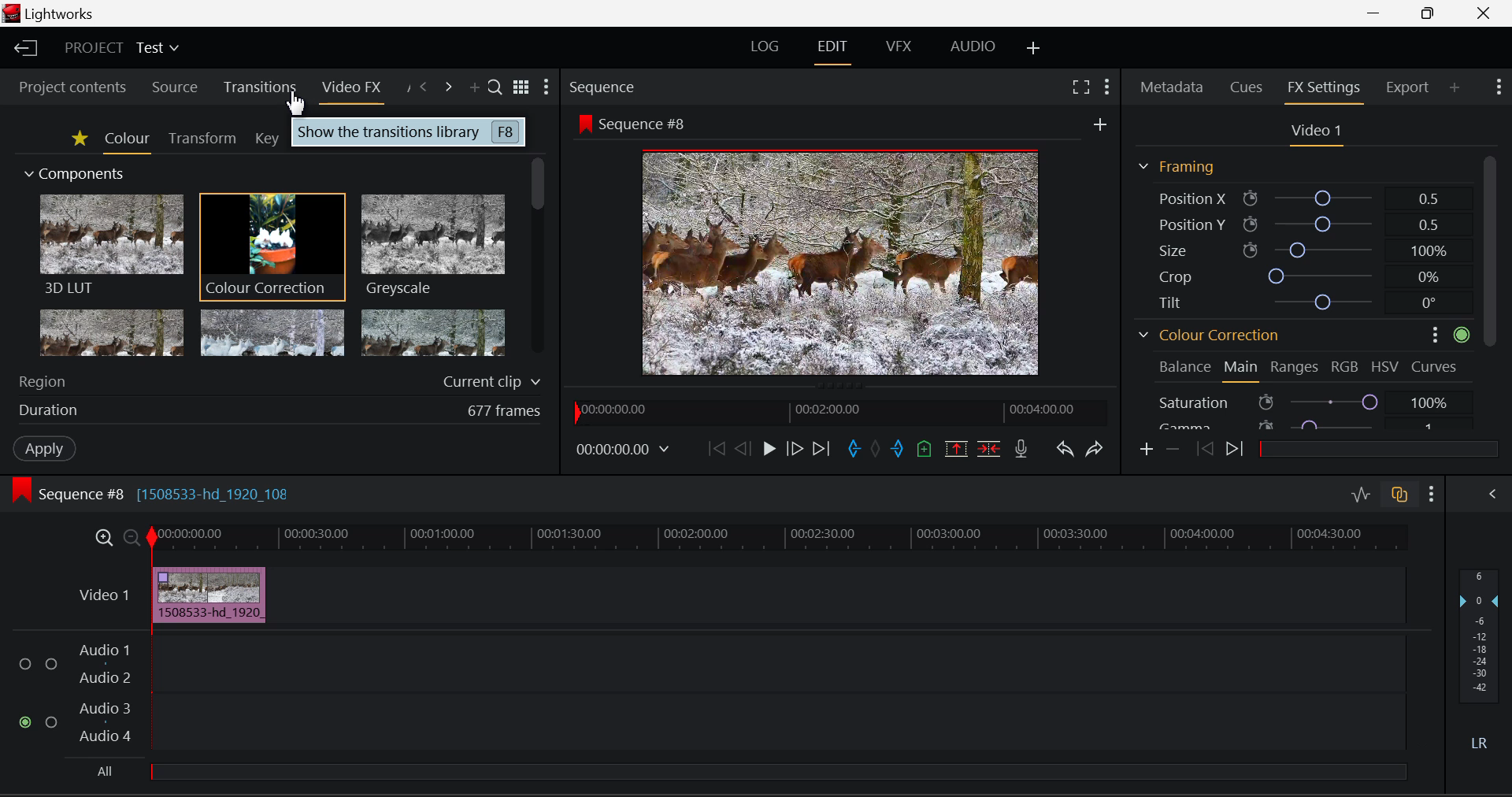  I want to click on active, so click(1462, 334).